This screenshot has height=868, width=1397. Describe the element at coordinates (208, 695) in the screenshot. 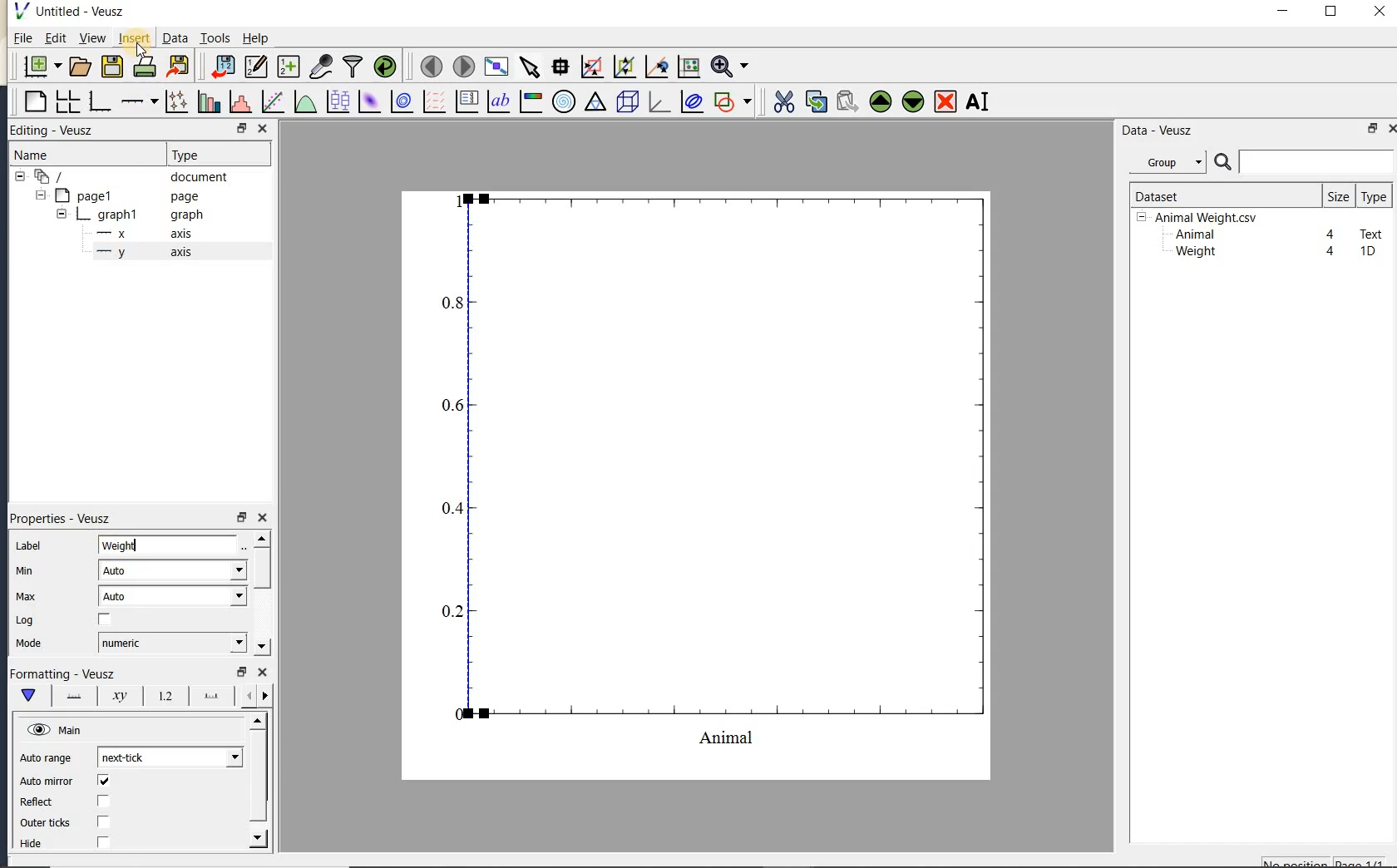

I see `major ticks` at that location.